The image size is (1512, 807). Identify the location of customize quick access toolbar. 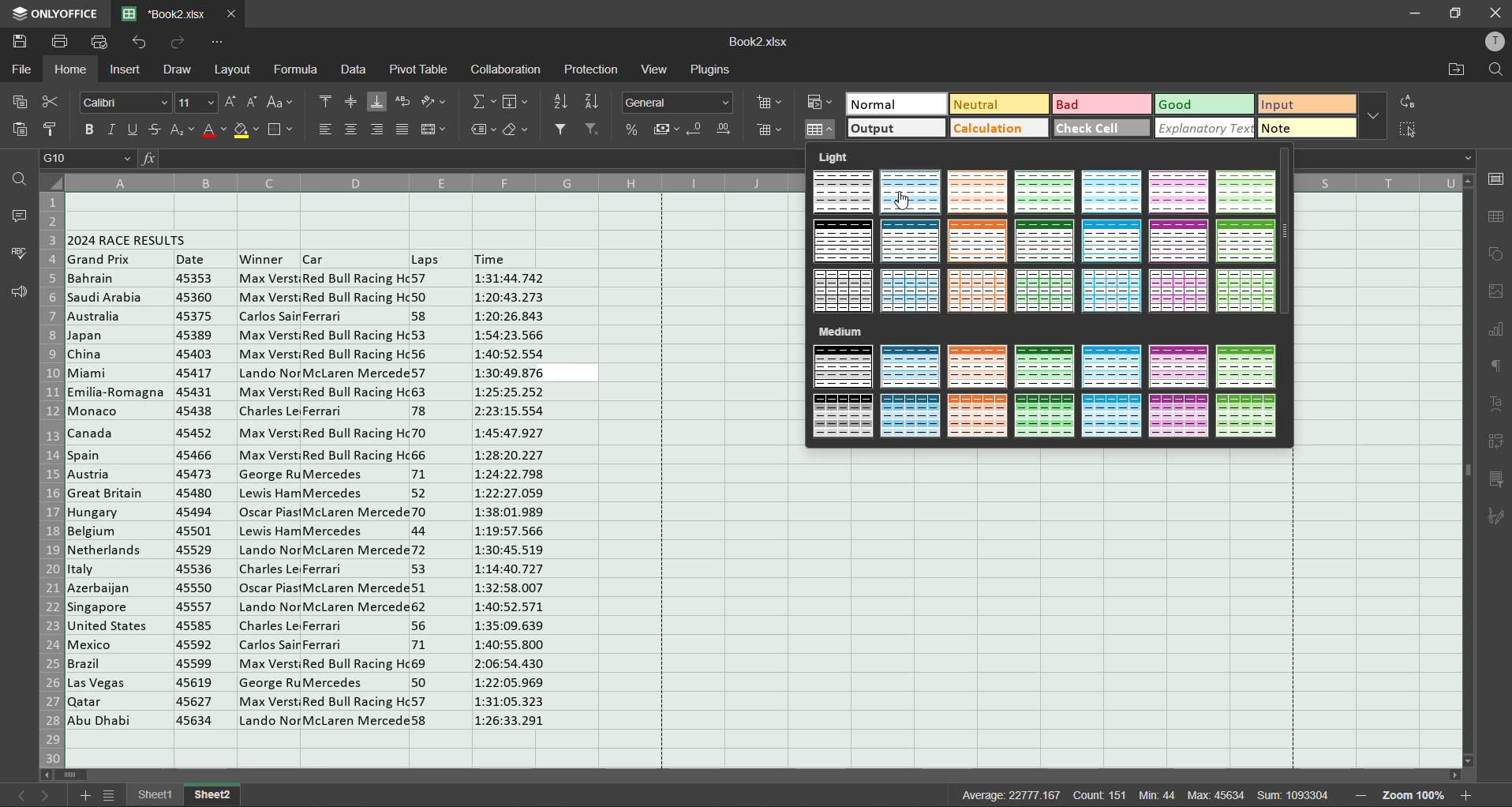
(219, 41).